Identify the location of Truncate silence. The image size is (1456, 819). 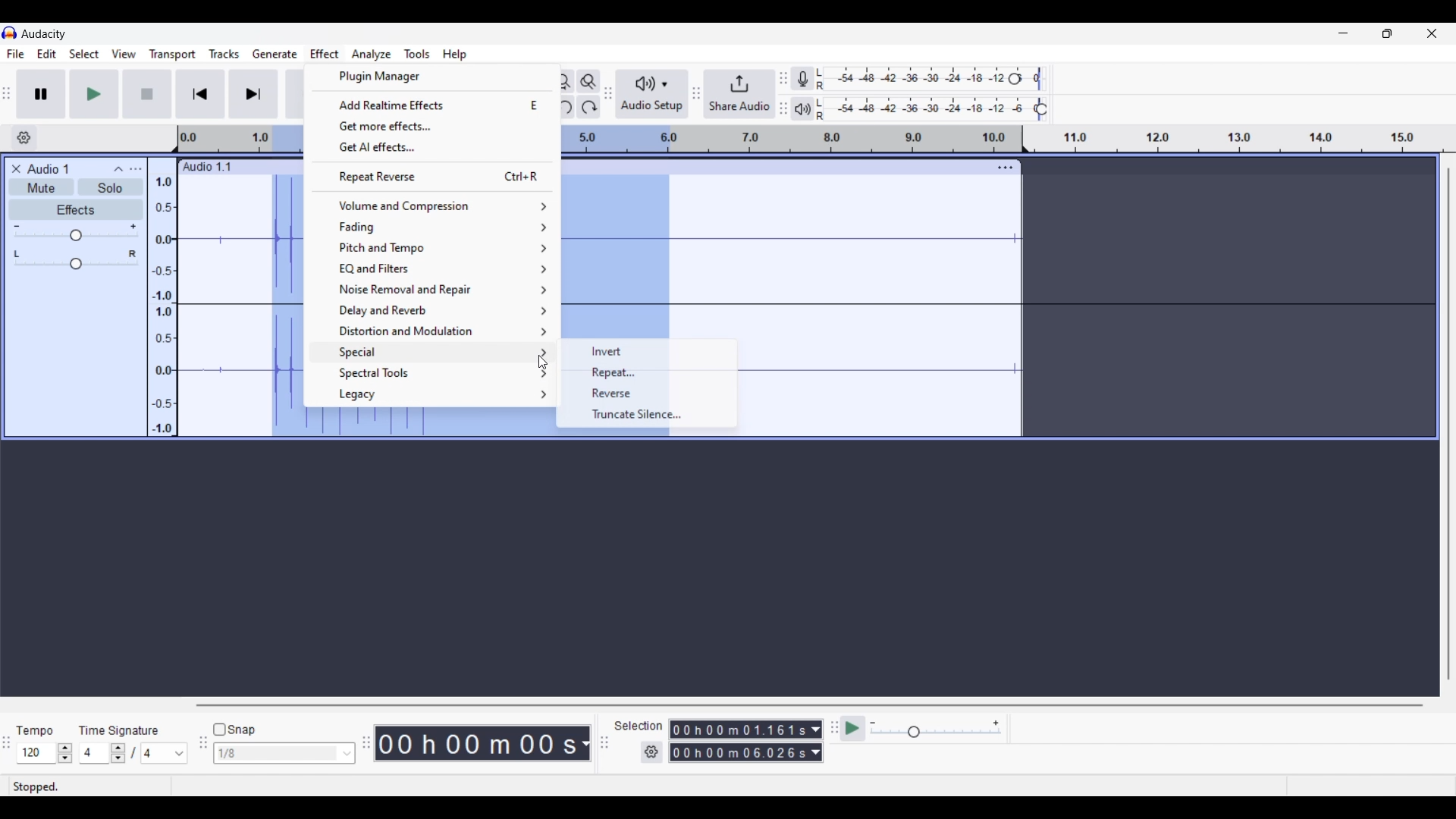
(647, 414).